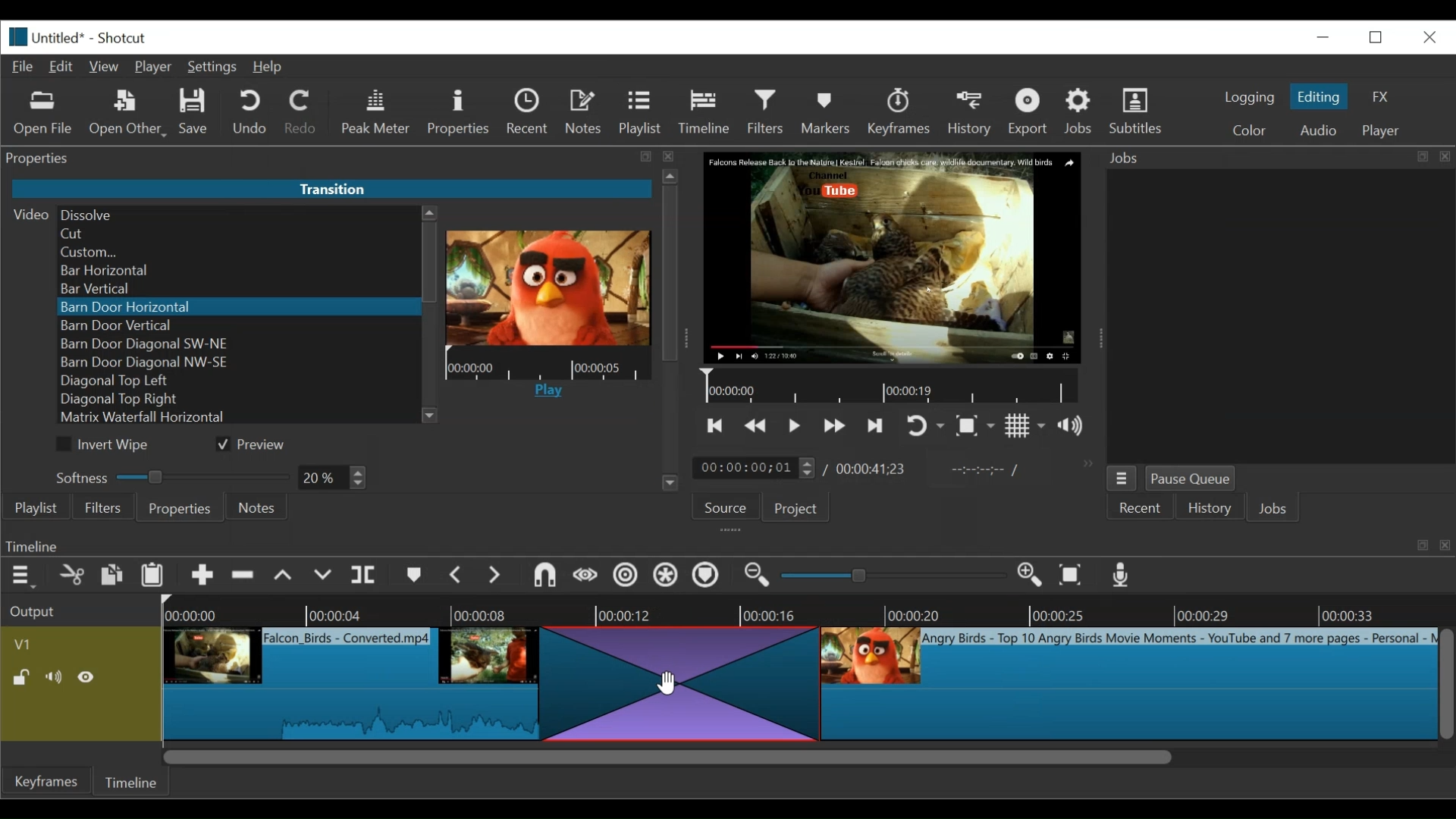 The image size is (1456, 819). Describe the element at coordinates (108, 444) in the screenshot. I see `(un)check Invite Wipe` at that location.